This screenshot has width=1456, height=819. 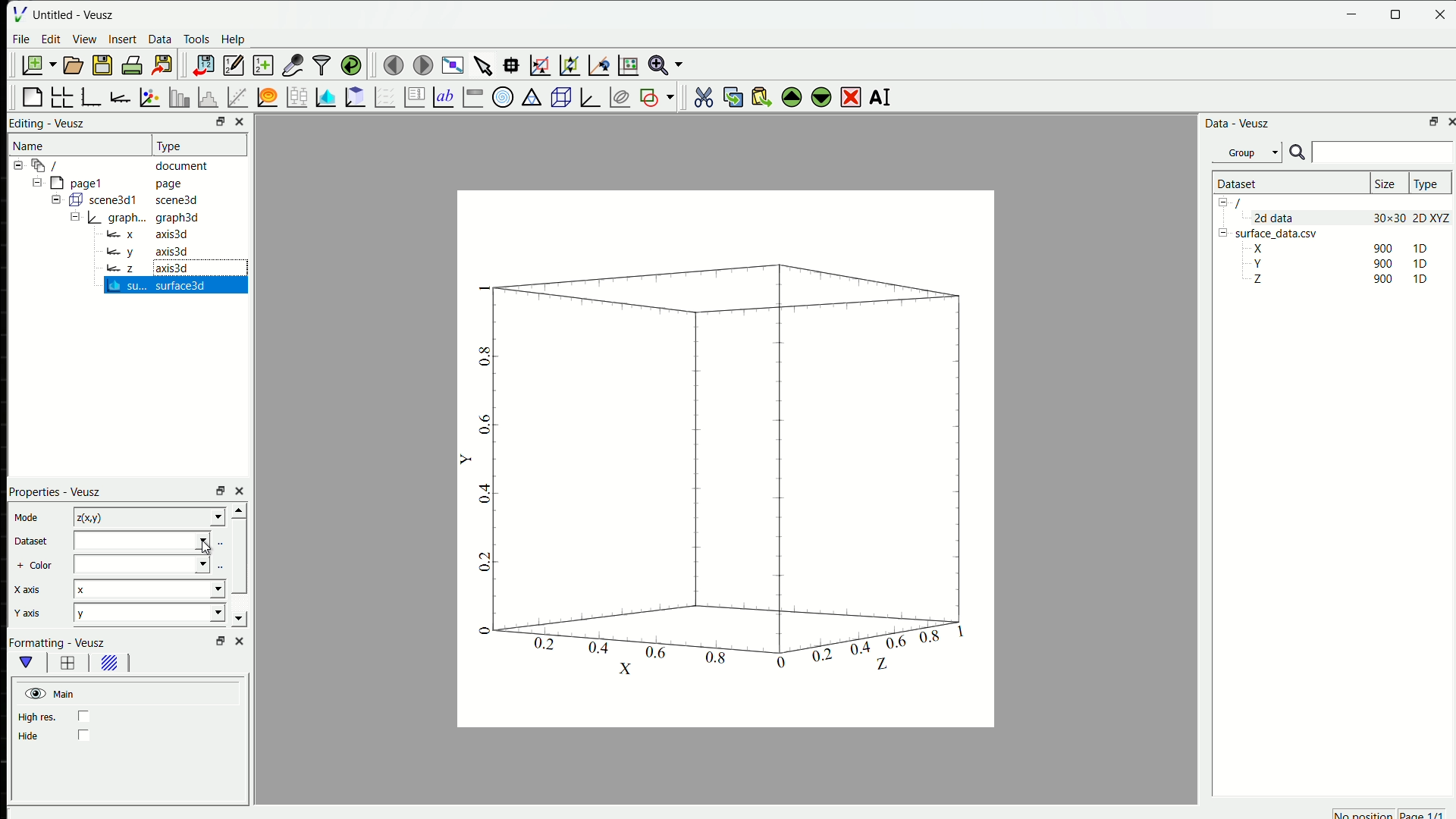 I want to click on paste widget from the clipboard, so click(x=764, y=96).